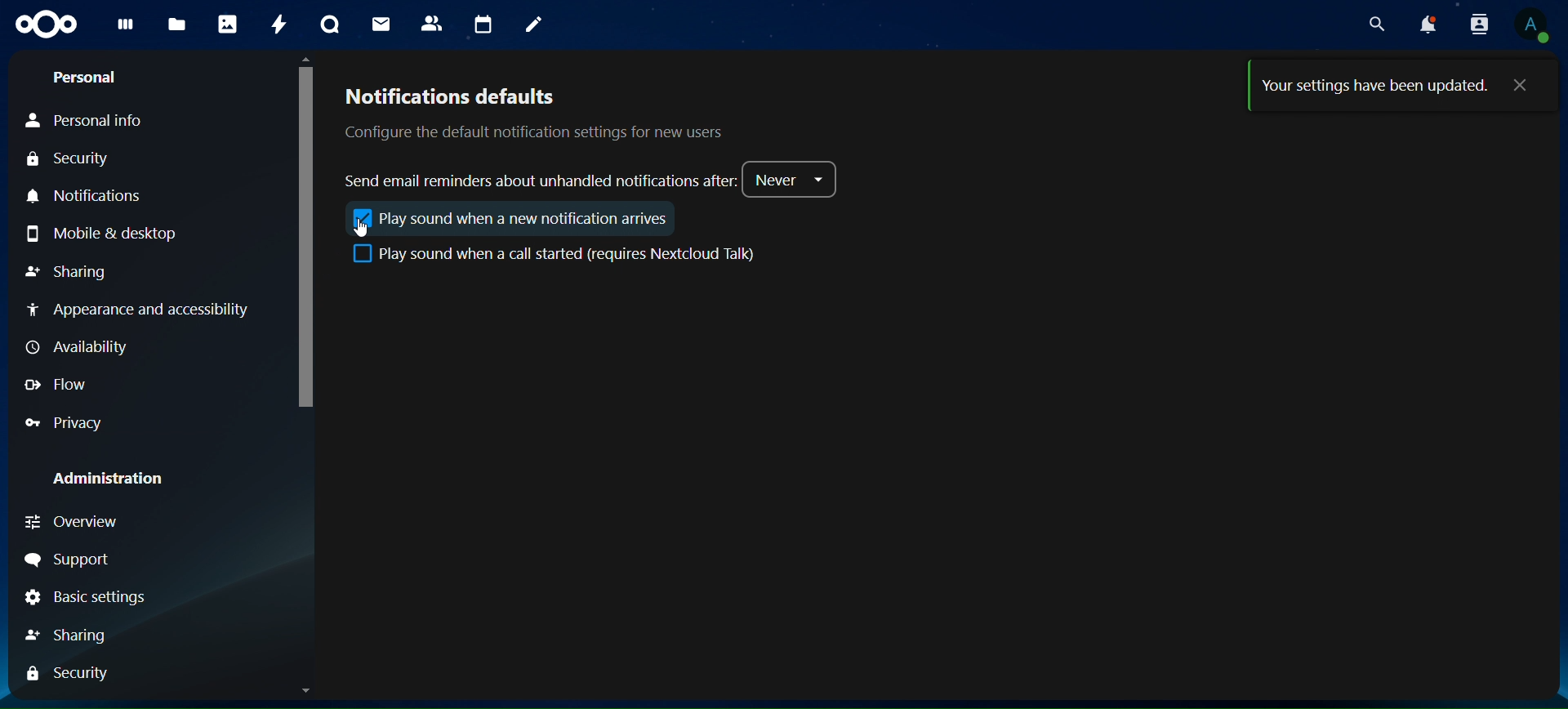 The height and width of the screenshot is (709, 1568). Describe the element at coordinates (538, 217) in the screenshot. I see `play sound when a new notification arrives` at that location.